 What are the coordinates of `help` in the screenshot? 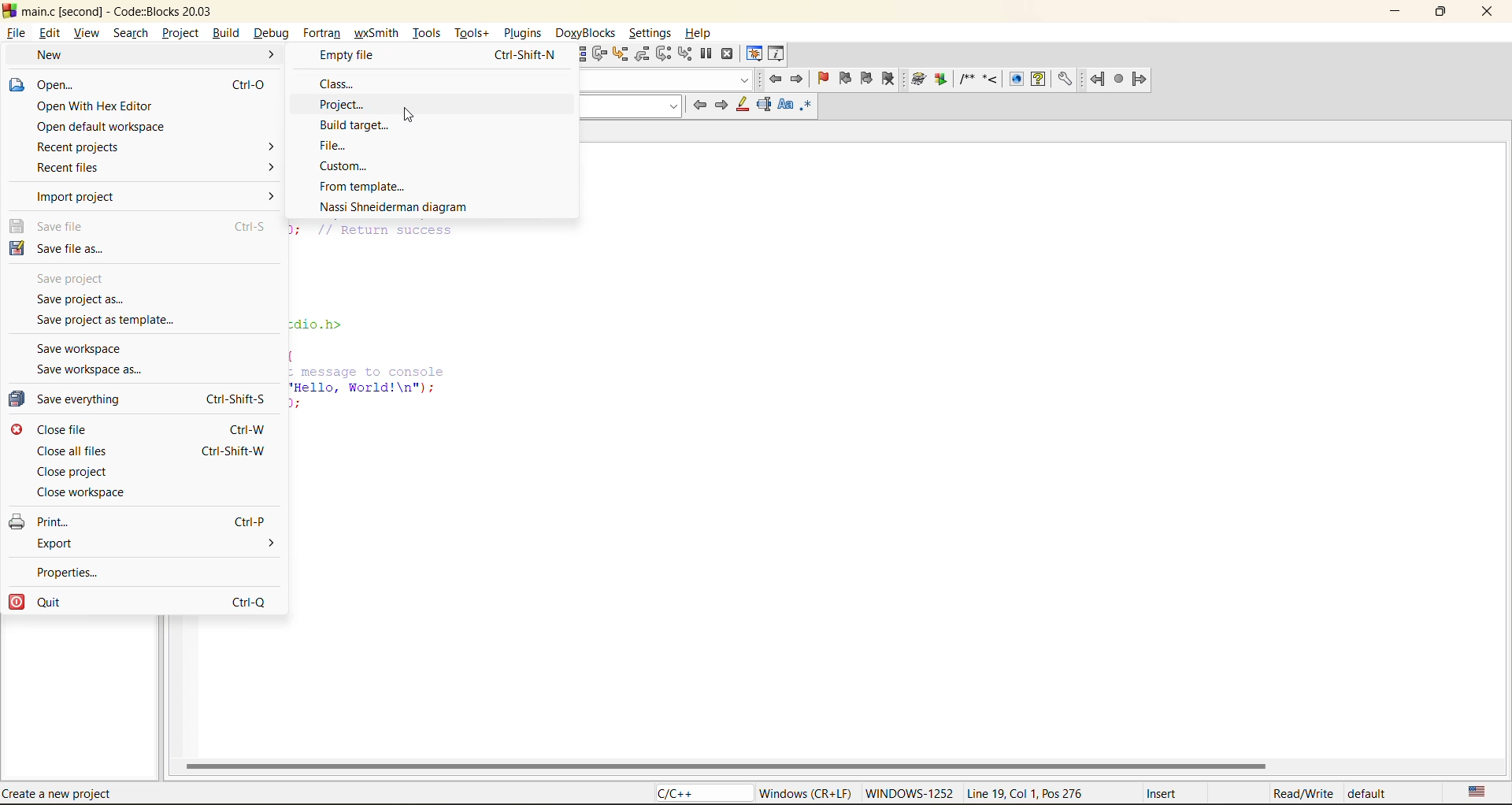 It's located at (695, 34).